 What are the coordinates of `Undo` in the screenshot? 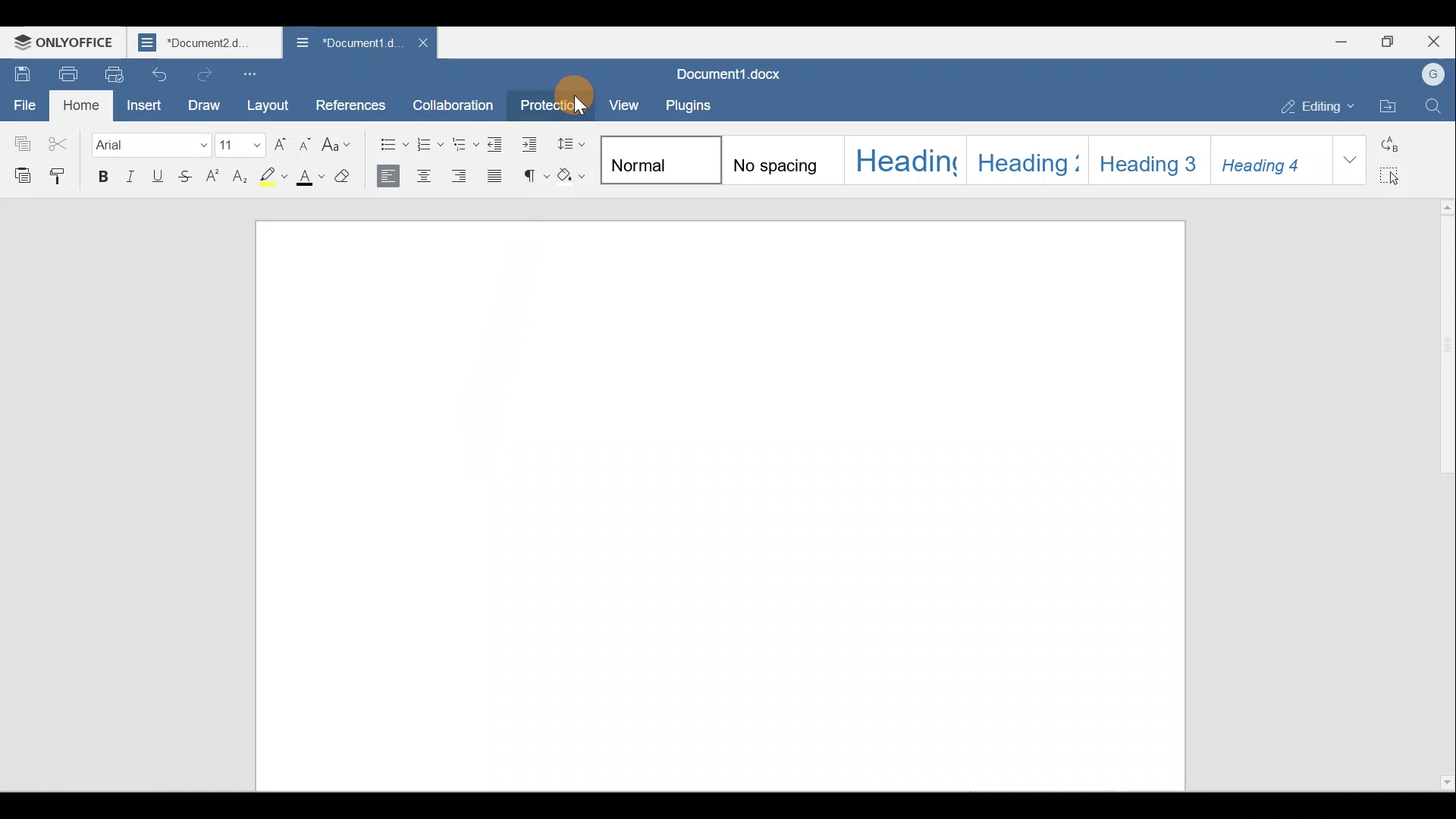 It's located at (158, 74).